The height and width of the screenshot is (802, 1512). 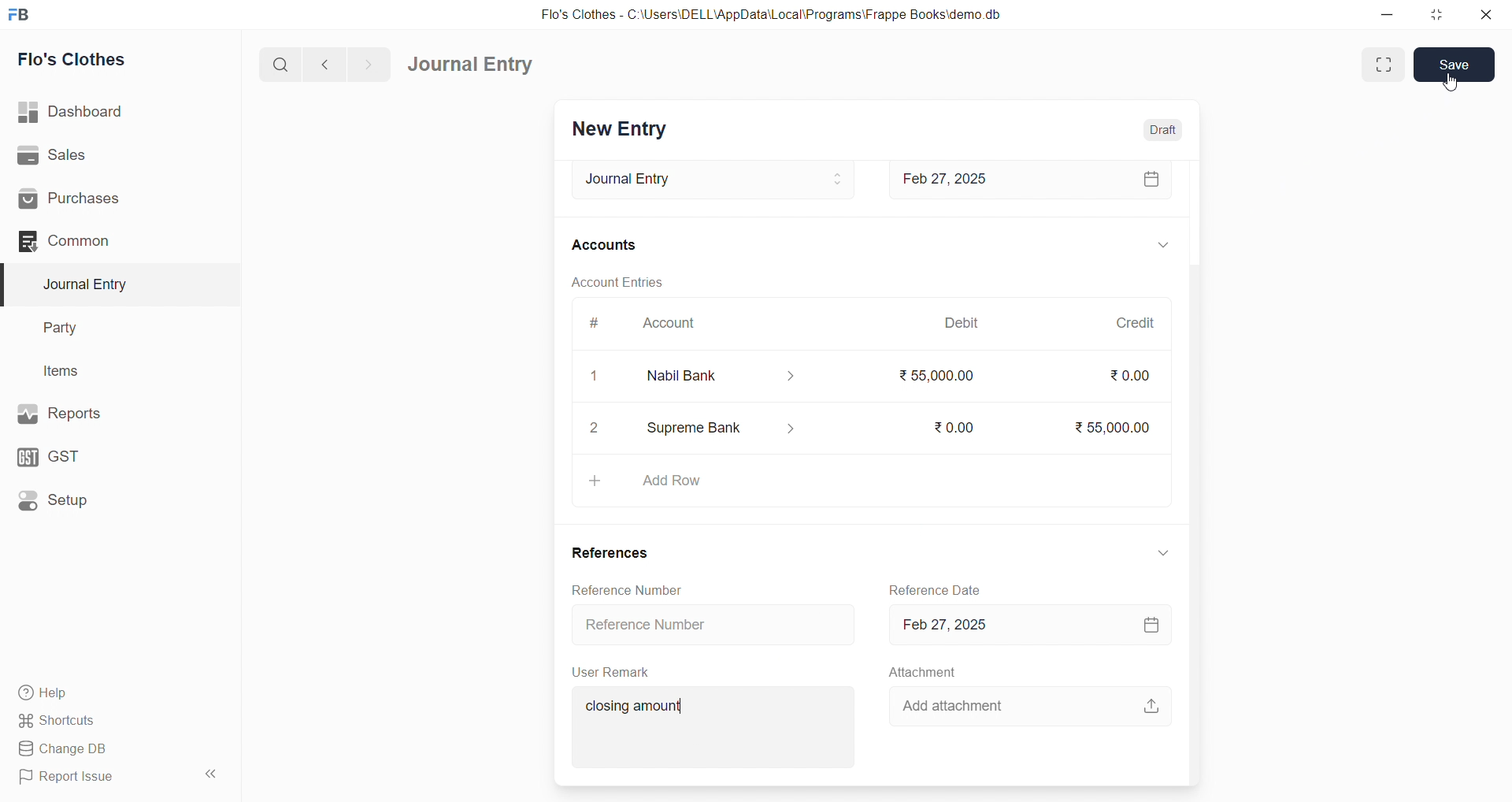 What do you see at coordinates (710, 625) in the screenshot?
I see `Reference Number` at bounding box center [710, 625].